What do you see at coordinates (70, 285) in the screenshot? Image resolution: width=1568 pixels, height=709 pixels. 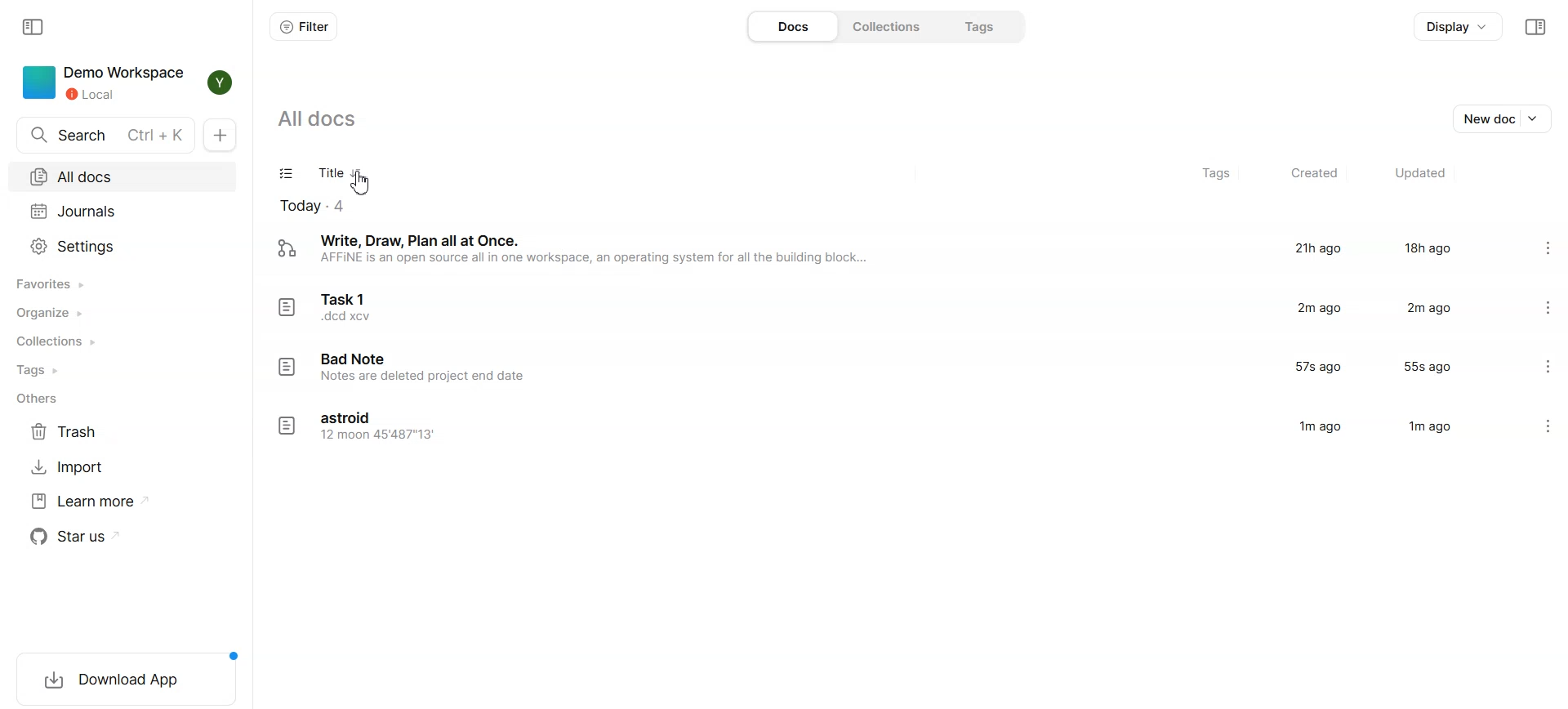 I see `Favorites` at bounding box center [70, 285].